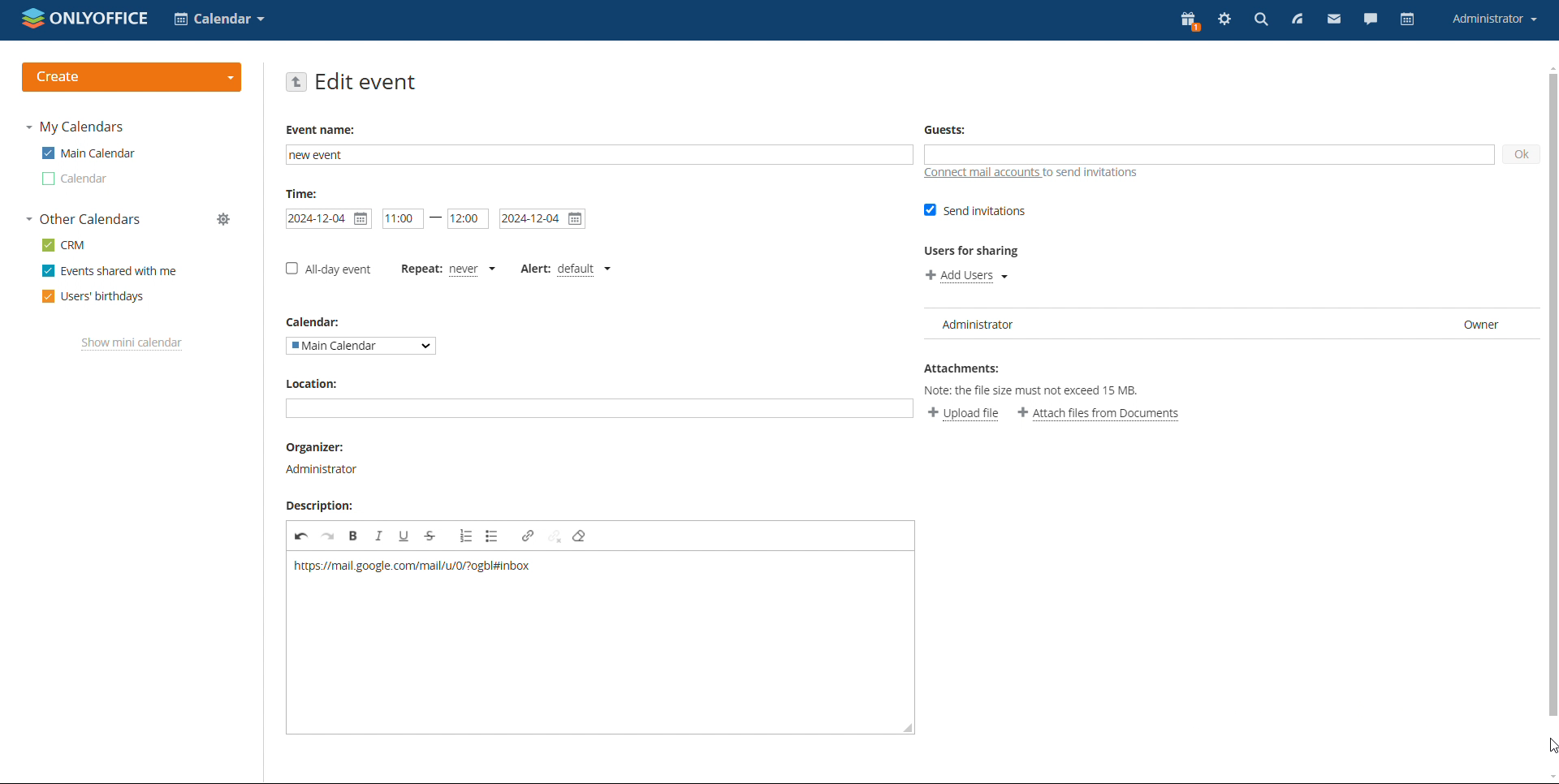 The height and width of the screenshot is (784, 1559). What do you see at coordinates (469, 218) in the screenshot?
I see `end time` at bounding box center [469, 218].